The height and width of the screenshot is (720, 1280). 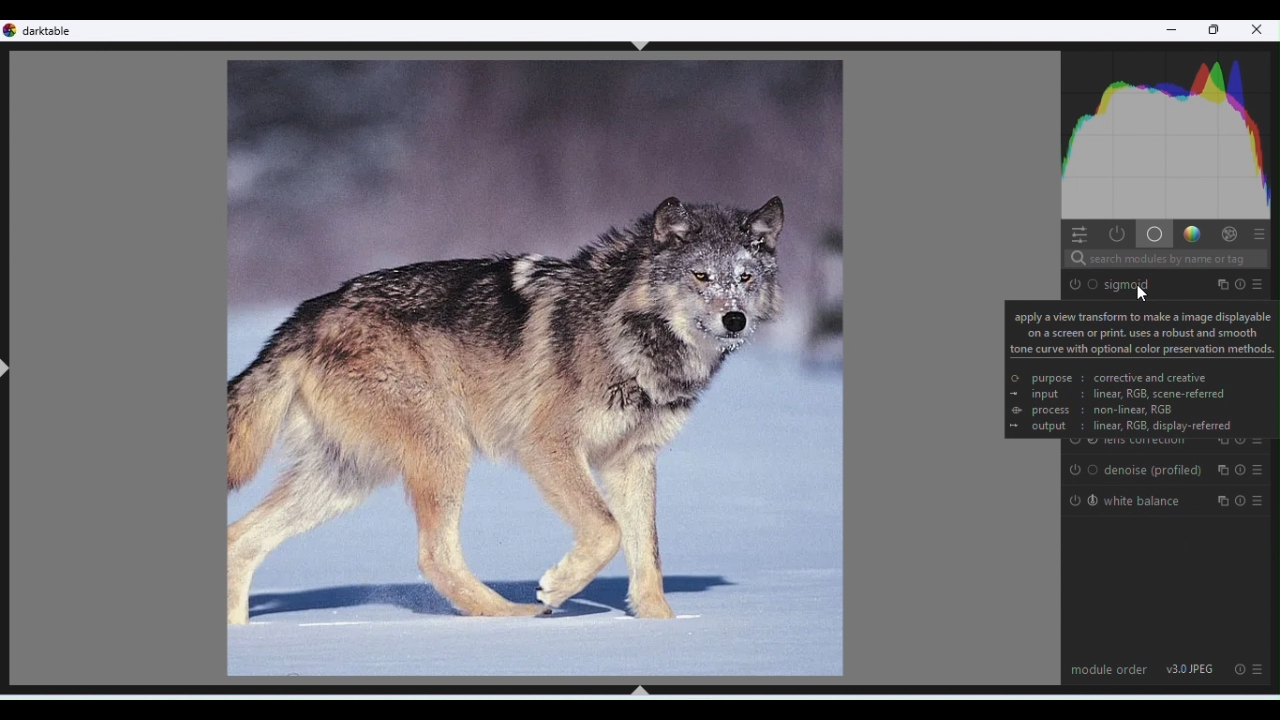 What do you see at coordinates (641, 46) in the screenshot?
I see `ctrl+shift+t` at bounding box center [641, 46].